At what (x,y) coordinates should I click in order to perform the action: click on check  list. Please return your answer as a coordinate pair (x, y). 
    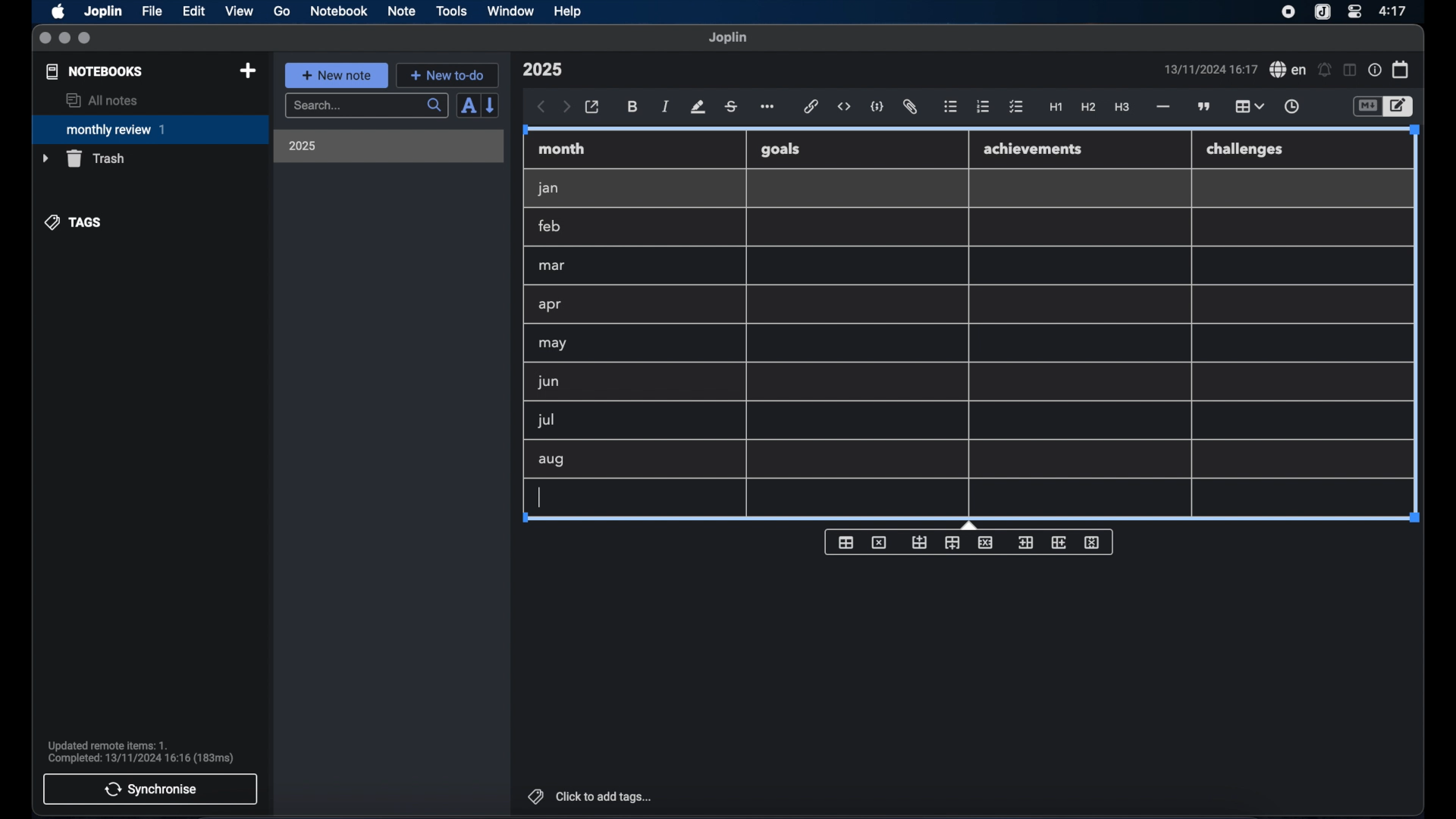
    Looking at the image, I should click on (1016, 108).